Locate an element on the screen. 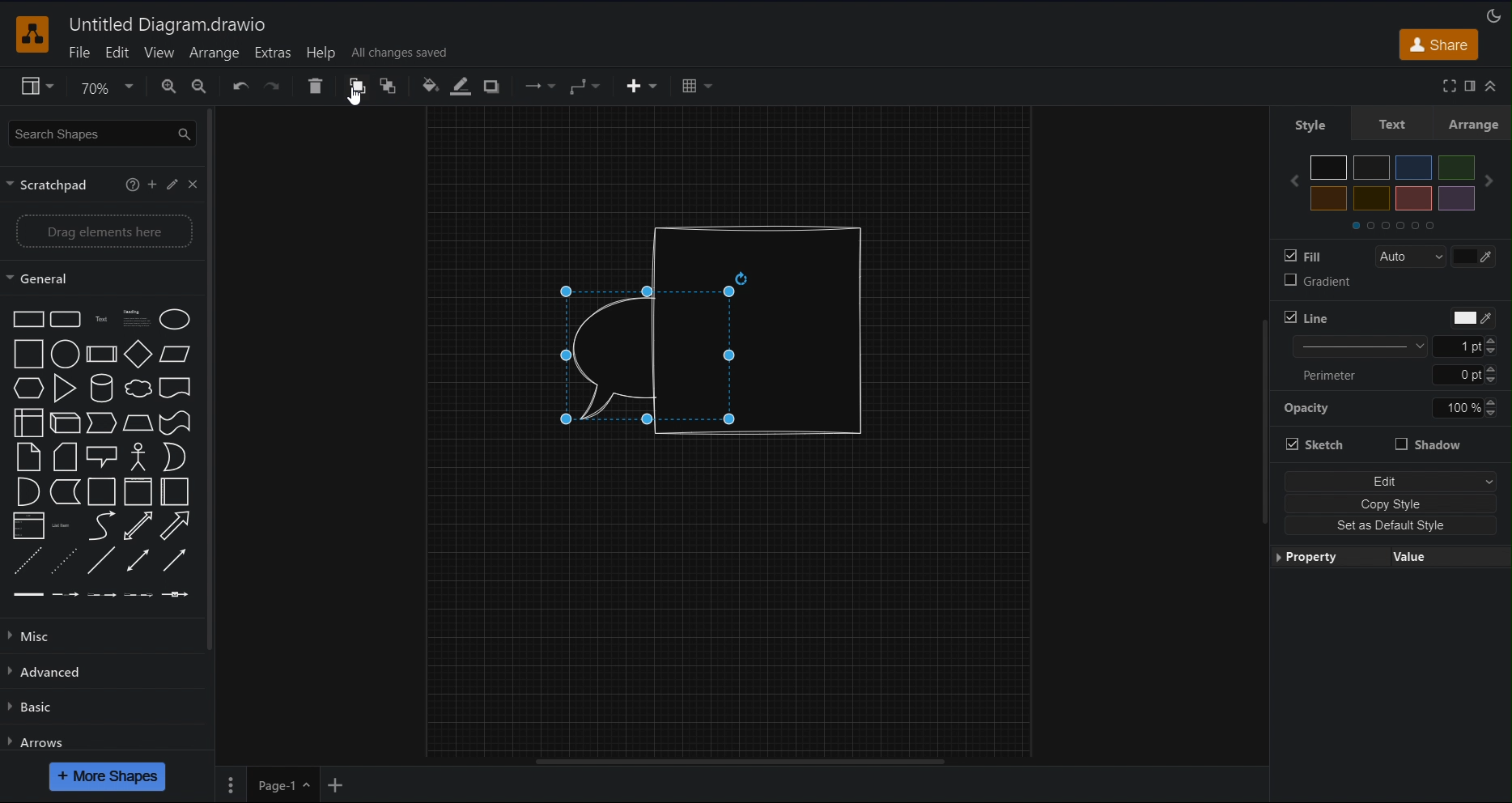 This screenshot has height=803, width=1512. Line is located at coordinates (101, 561).